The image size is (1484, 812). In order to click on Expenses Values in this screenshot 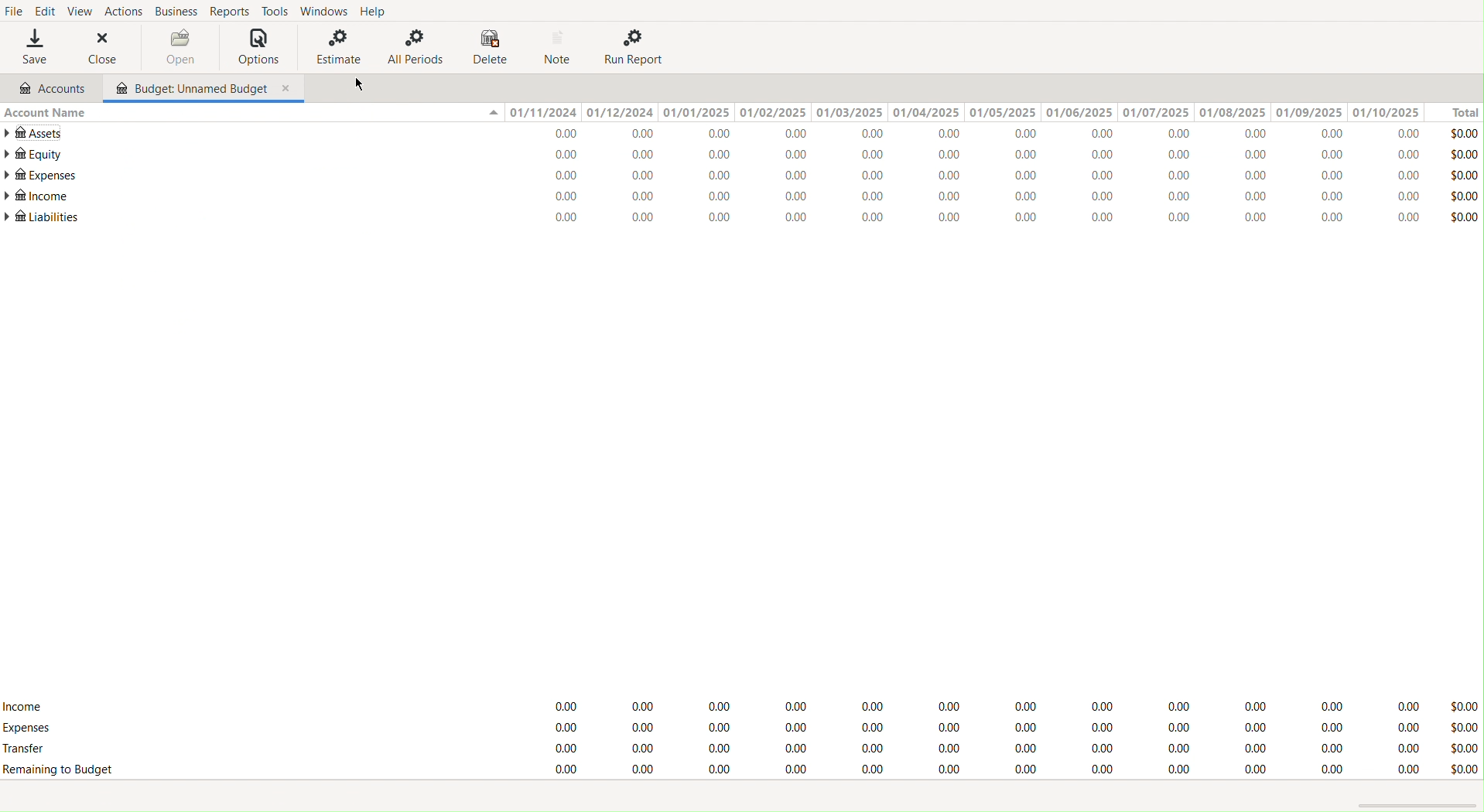, I will do `click(976, 727)`.